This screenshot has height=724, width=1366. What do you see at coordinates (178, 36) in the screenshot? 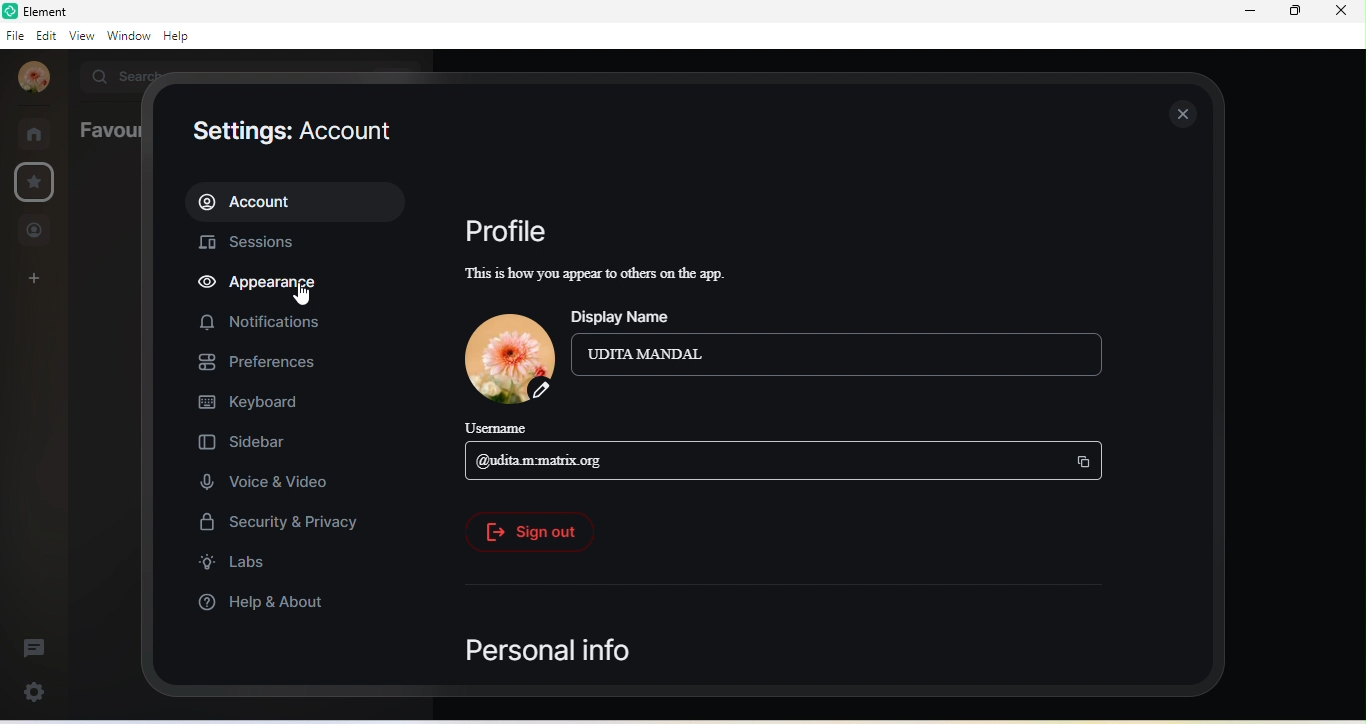
I see `help` at bounding box center [178, 36].